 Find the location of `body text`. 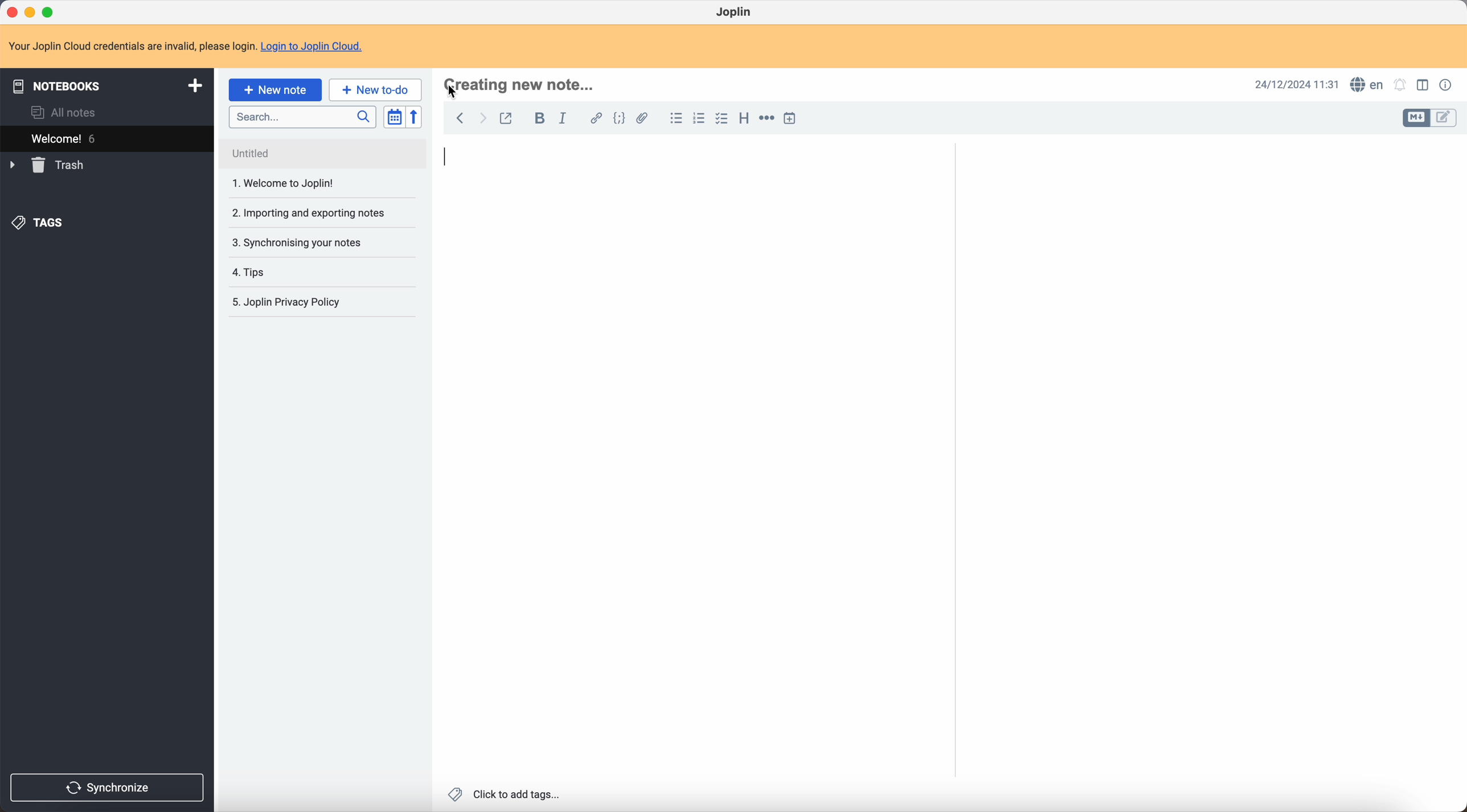

body text is located at coordinates (1205, 475).